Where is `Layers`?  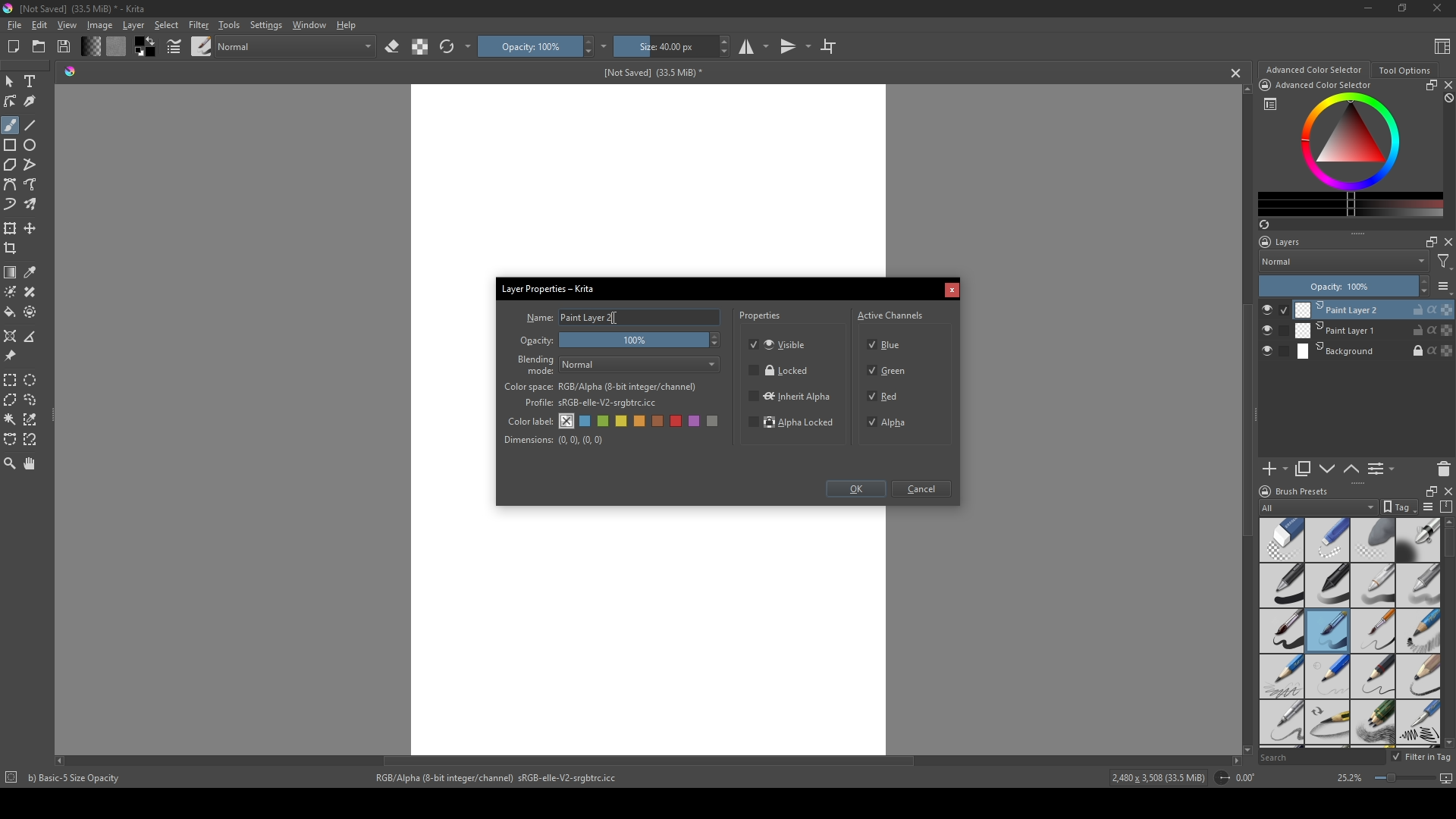 Layers is located at coordinates (1284, 242).